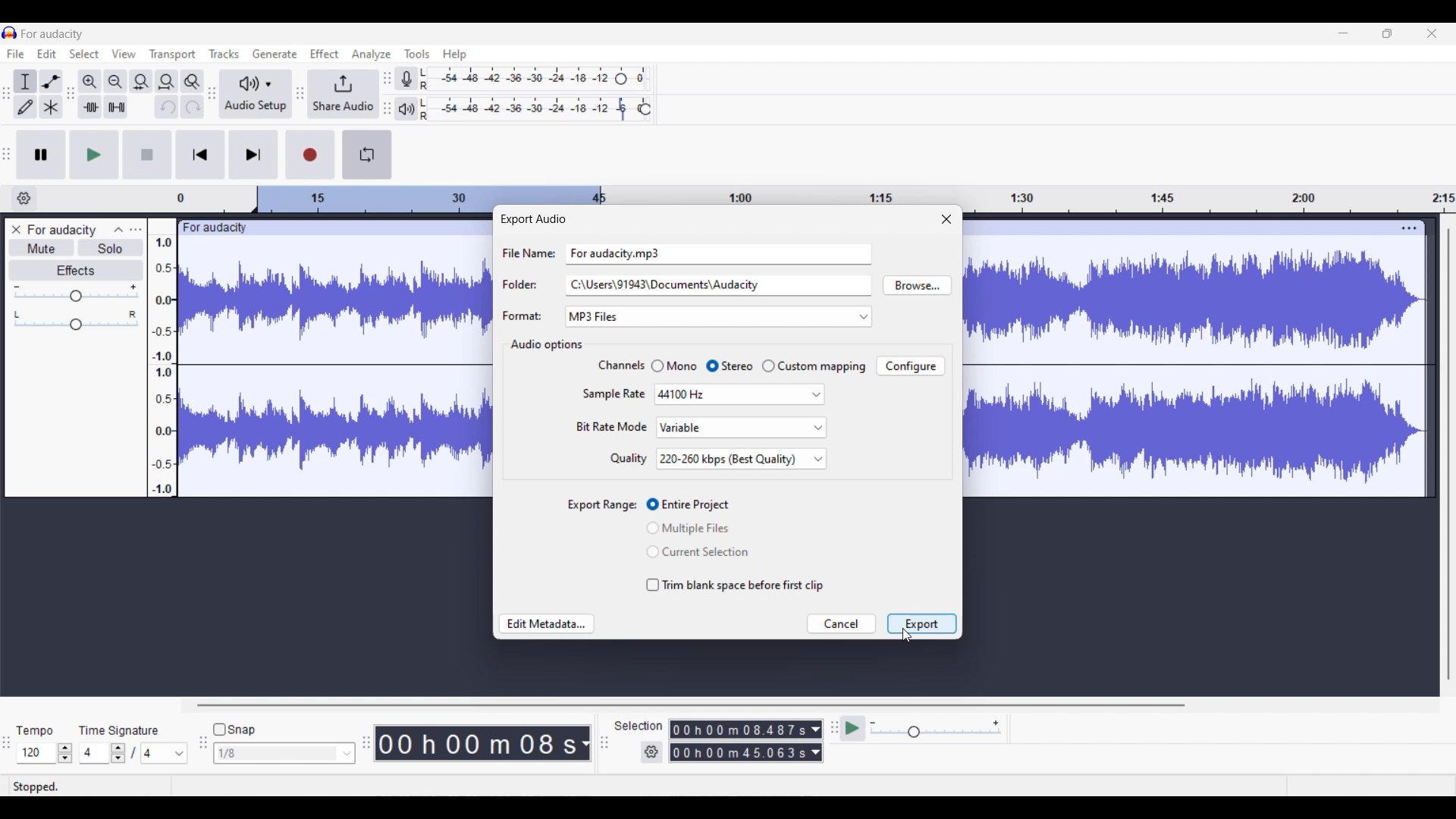  Describe the element at coordinates (124, 54) in the screenshot. I see `View menu` at that location.